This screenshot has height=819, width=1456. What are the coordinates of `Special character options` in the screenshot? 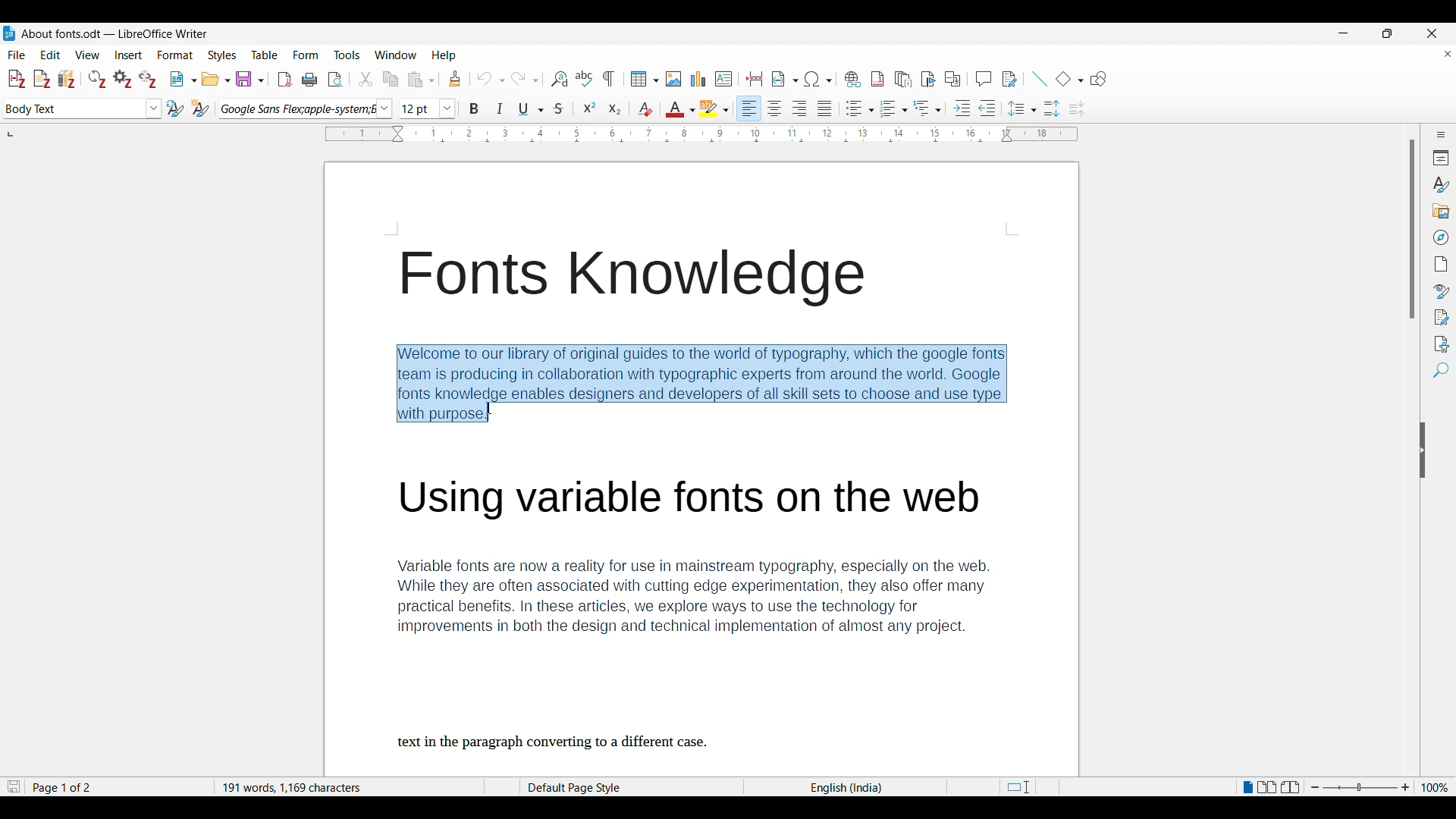 It's located at (818, 79).